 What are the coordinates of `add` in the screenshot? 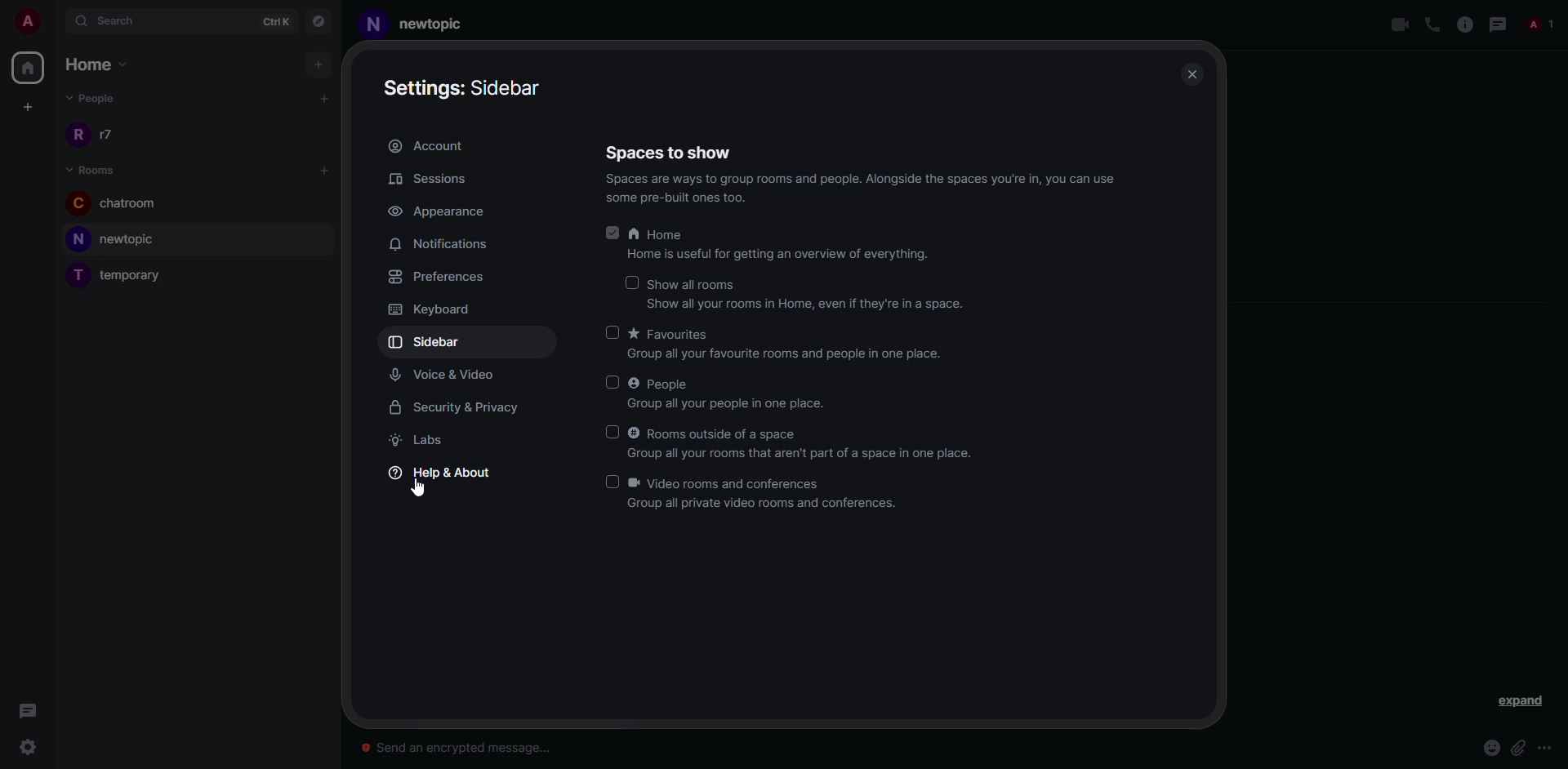 It's located at (316, 63).